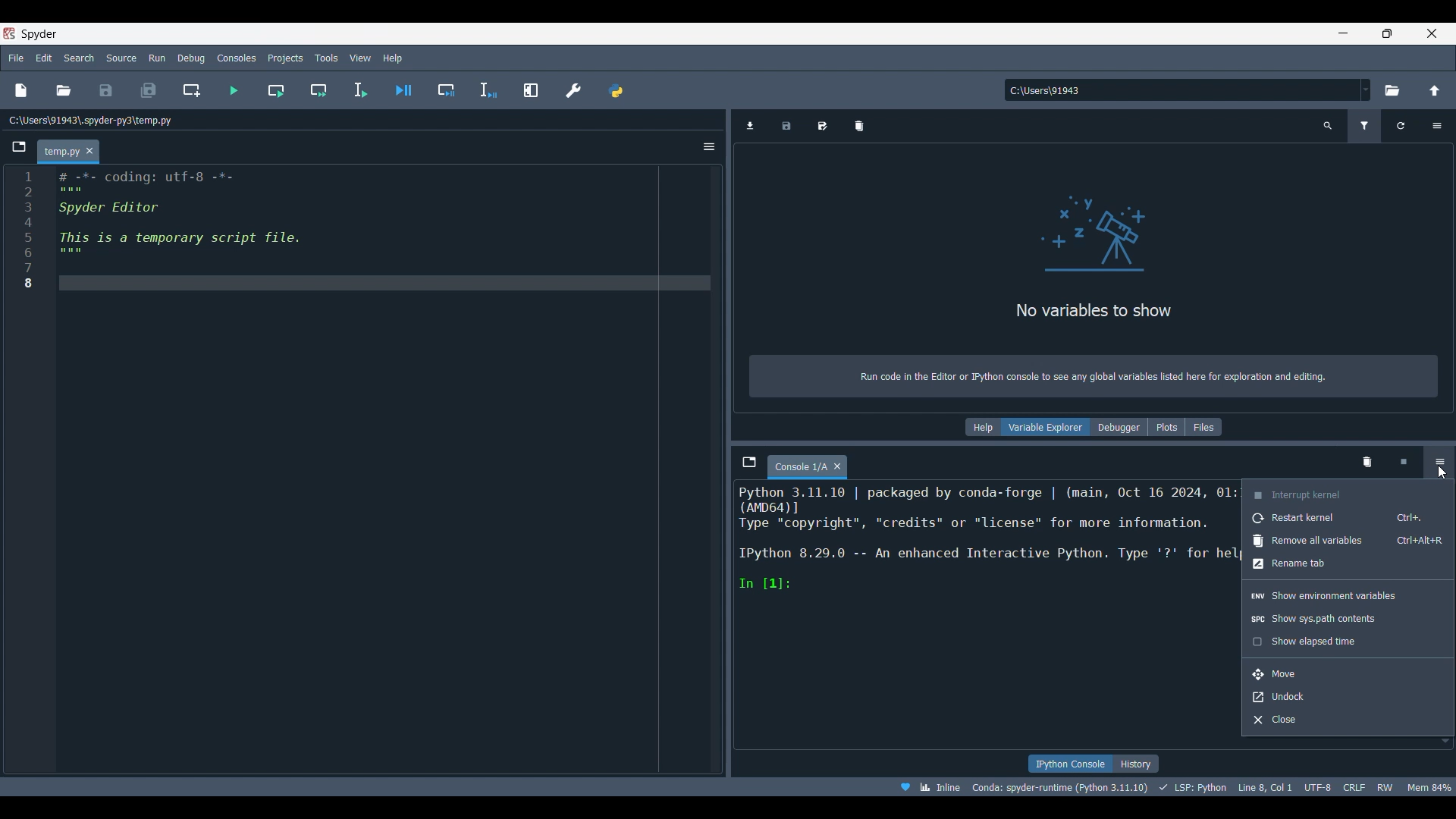 The width and height of the screenshot is (1456, 819). What do you see at coordinates (1441, 472) in the screenshot?
I see `Cursor position unchanged` at bounding box center [1441, 472].